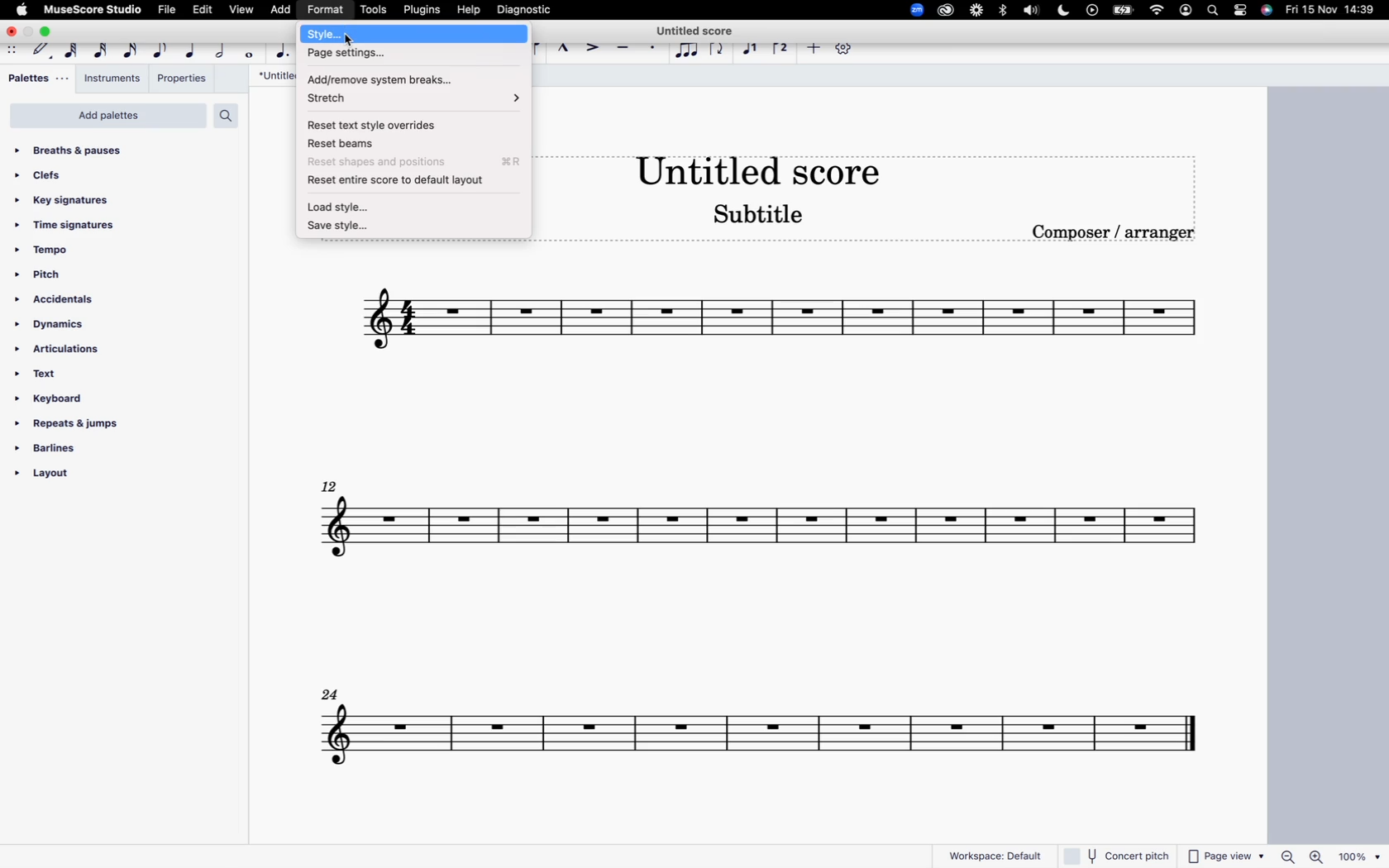  I want to click on close, so click(10, 32).